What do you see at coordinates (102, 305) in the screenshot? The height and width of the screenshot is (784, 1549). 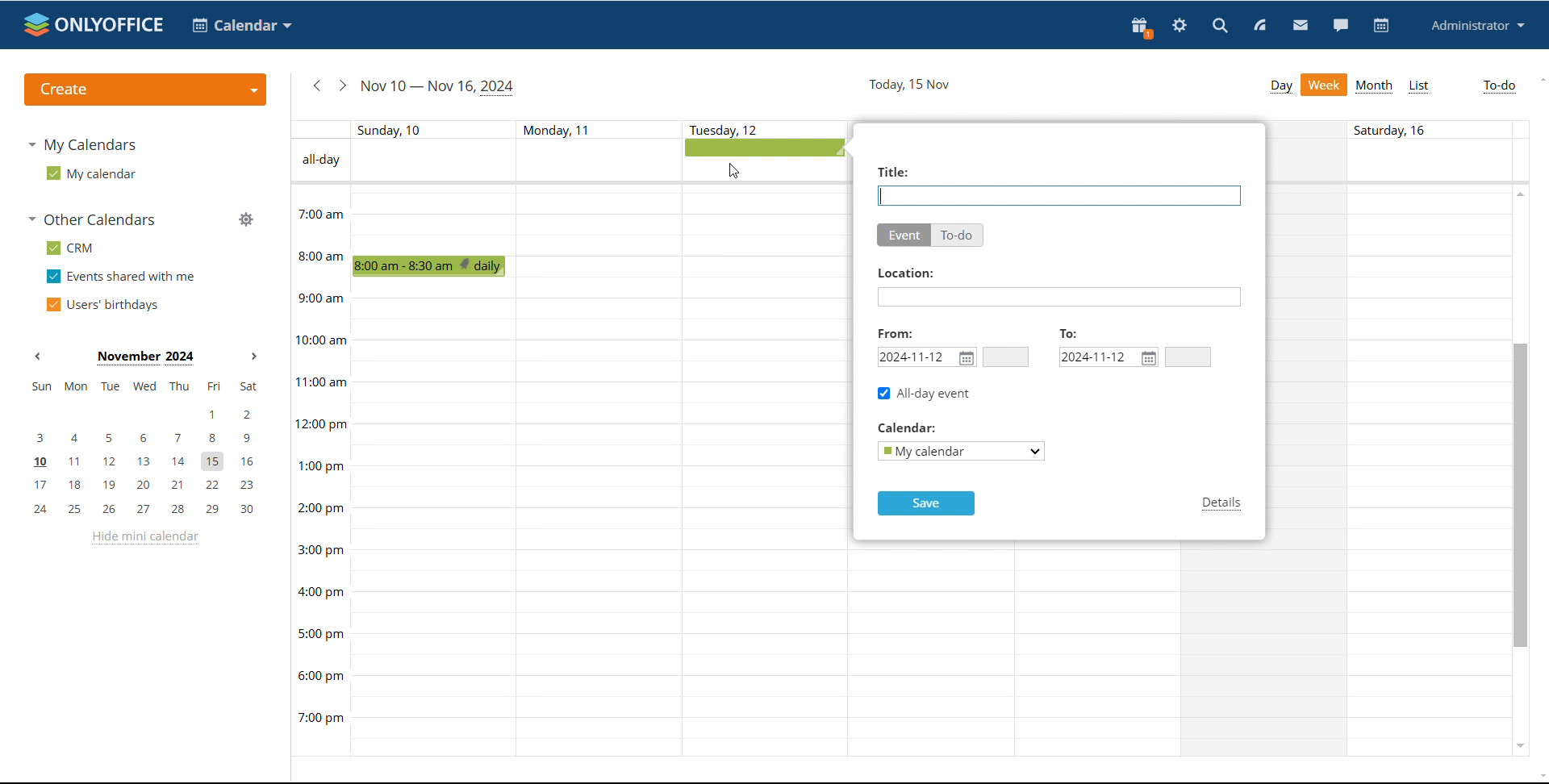 I see `users' birthdays` at bounding box center [102, 305].